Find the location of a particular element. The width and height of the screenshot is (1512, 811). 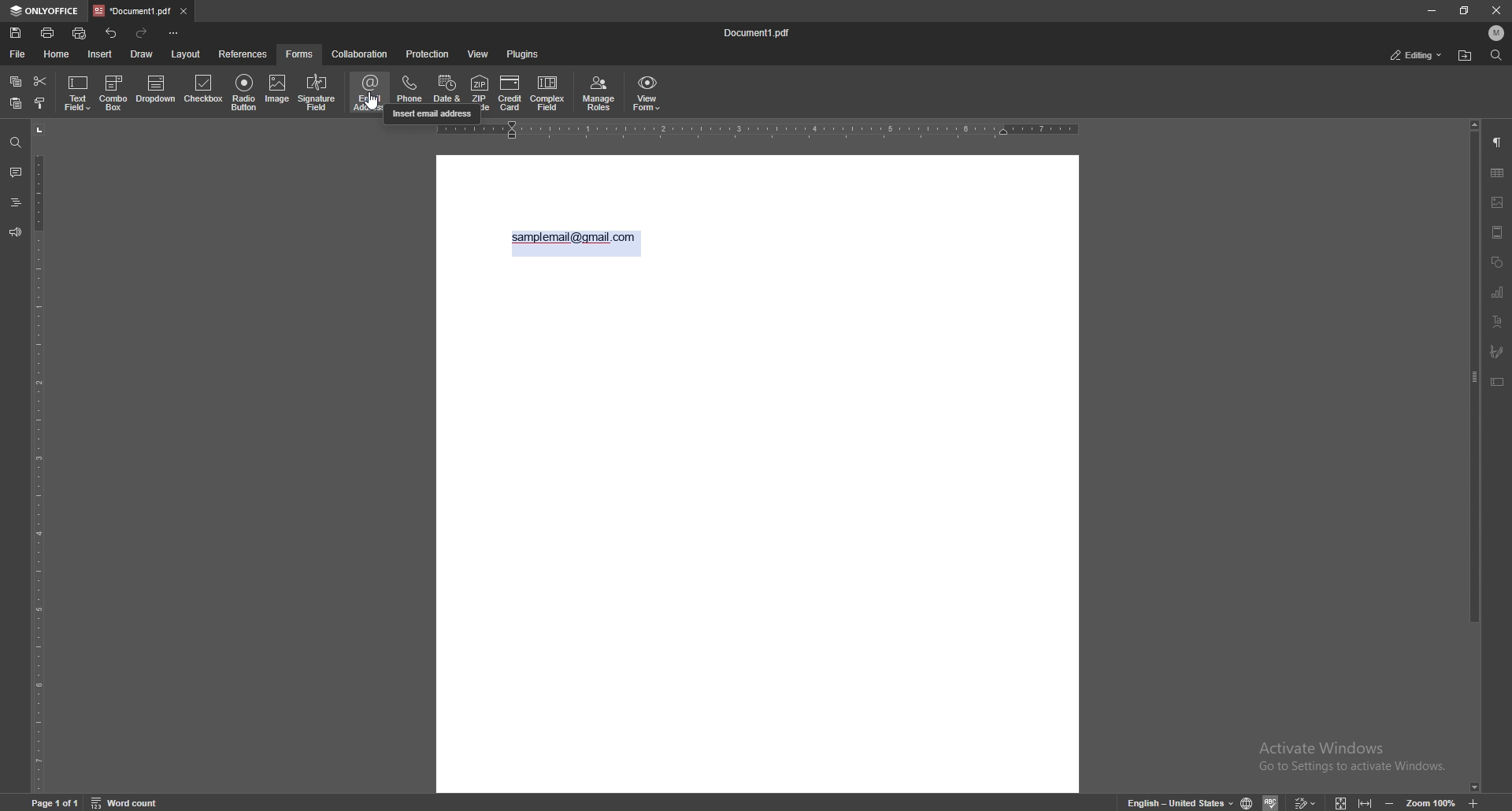

checkbox is located at coordinates (205, 90).